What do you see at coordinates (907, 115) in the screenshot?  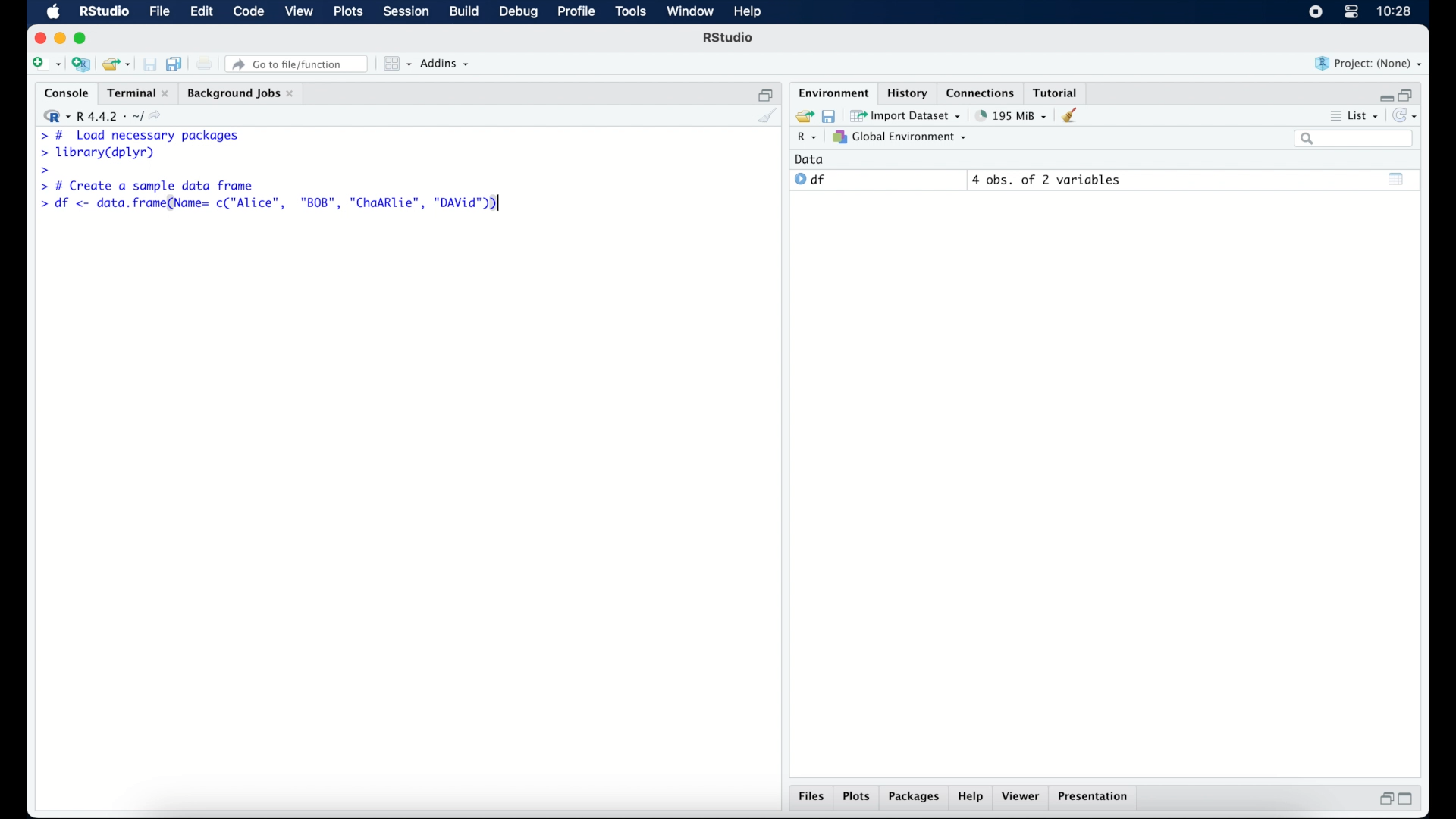 I see `import dataset` at bounding box center [907, 115].